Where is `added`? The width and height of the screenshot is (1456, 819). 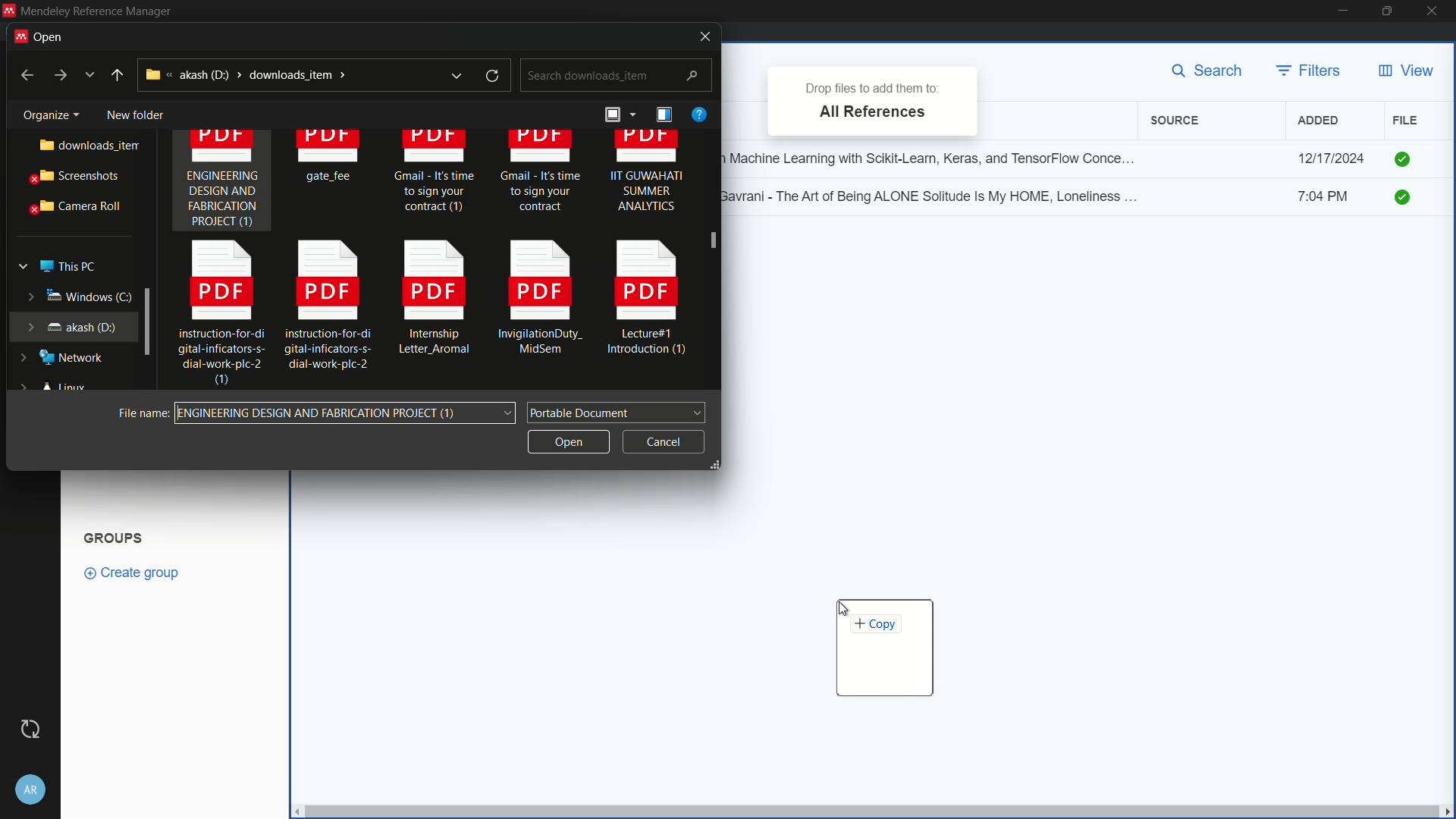 added is located at coordinates (1319, 121).